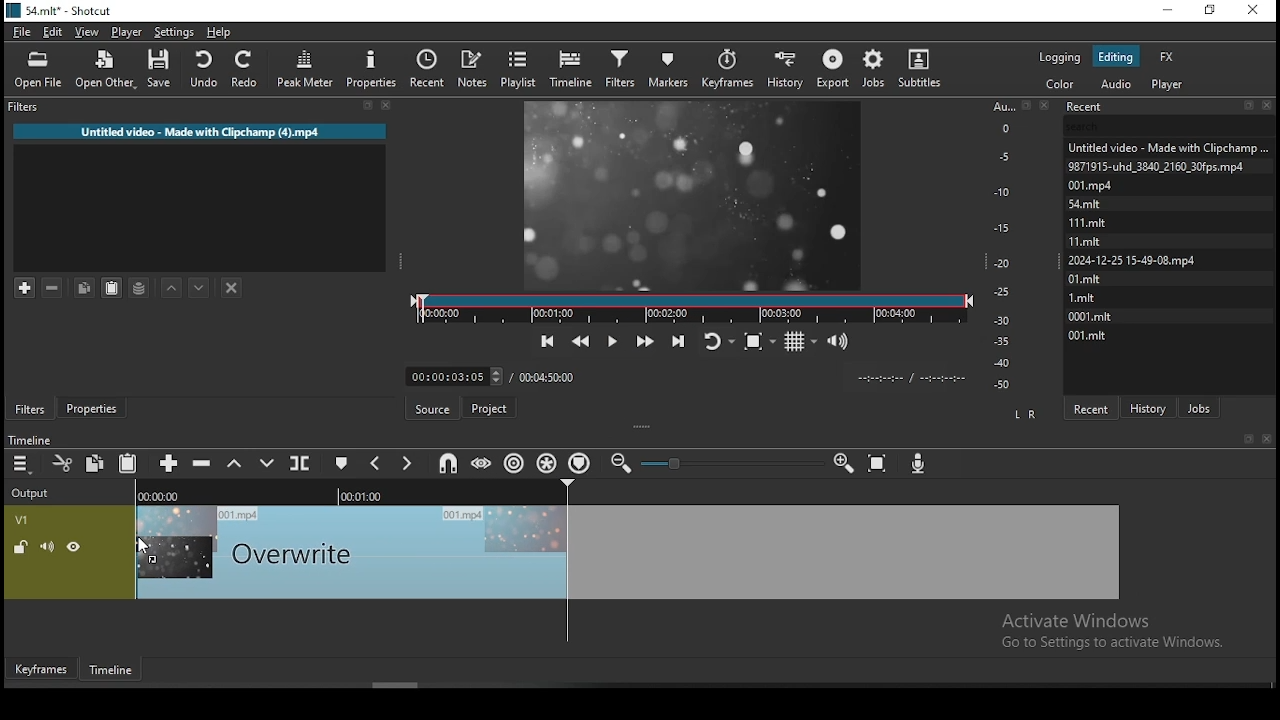  I want to click on subtitles, so click(922, 66).